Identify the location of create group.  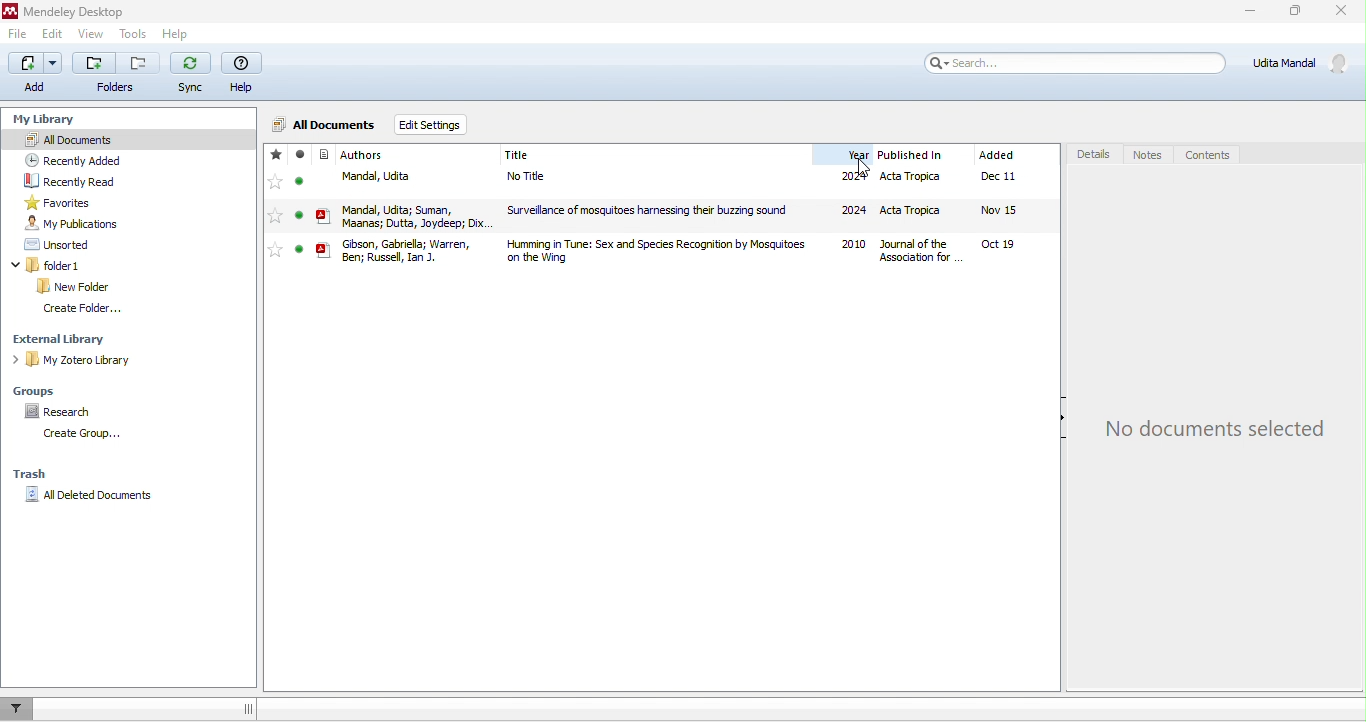
(75, 435).